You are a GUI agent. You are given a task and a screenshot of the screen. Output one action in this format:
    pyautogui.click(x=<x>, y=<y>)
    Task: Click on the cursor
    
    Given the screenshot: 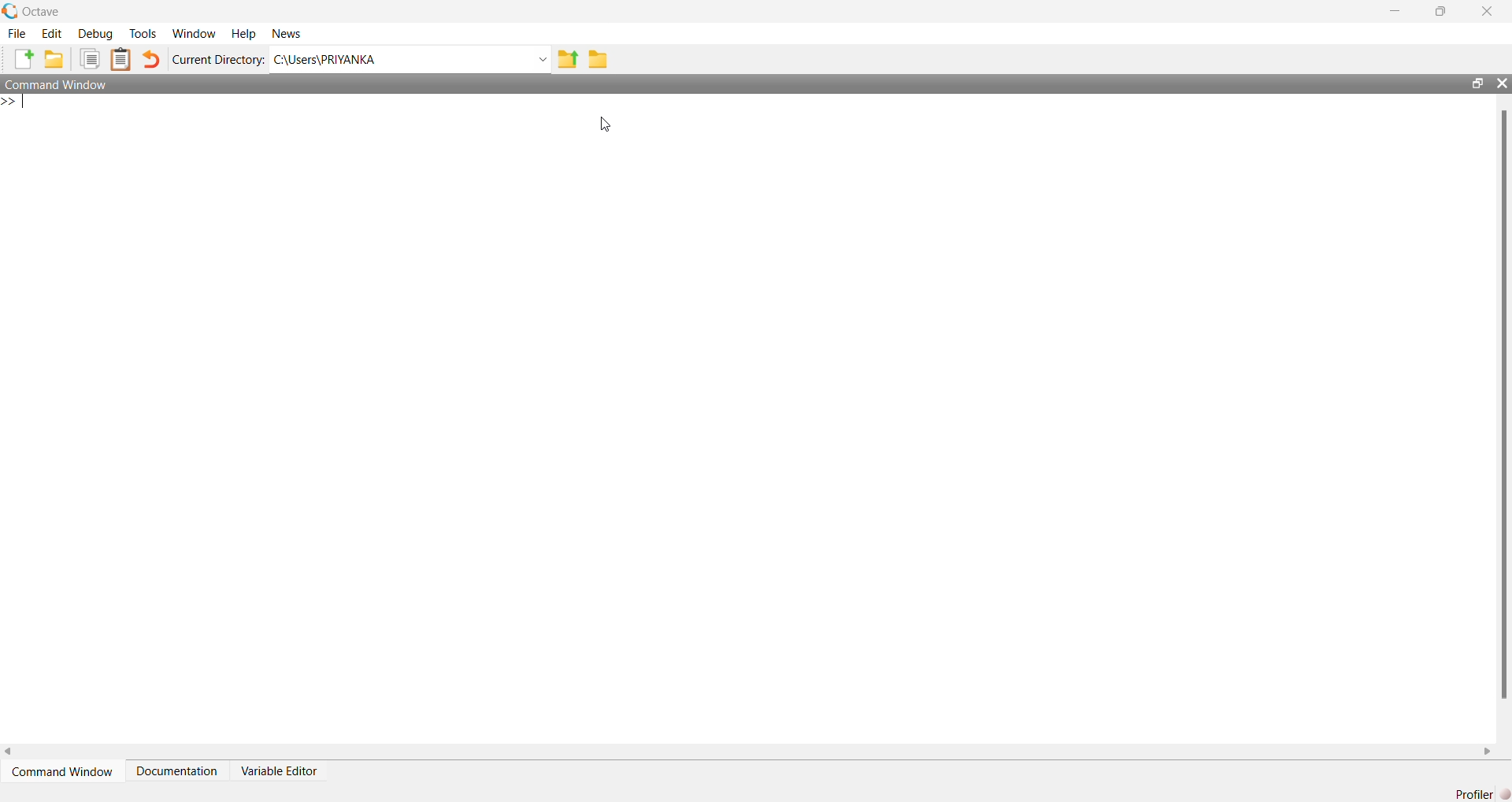 What is the action you would take?
    pyautogui.click(x=608, y=125)
    